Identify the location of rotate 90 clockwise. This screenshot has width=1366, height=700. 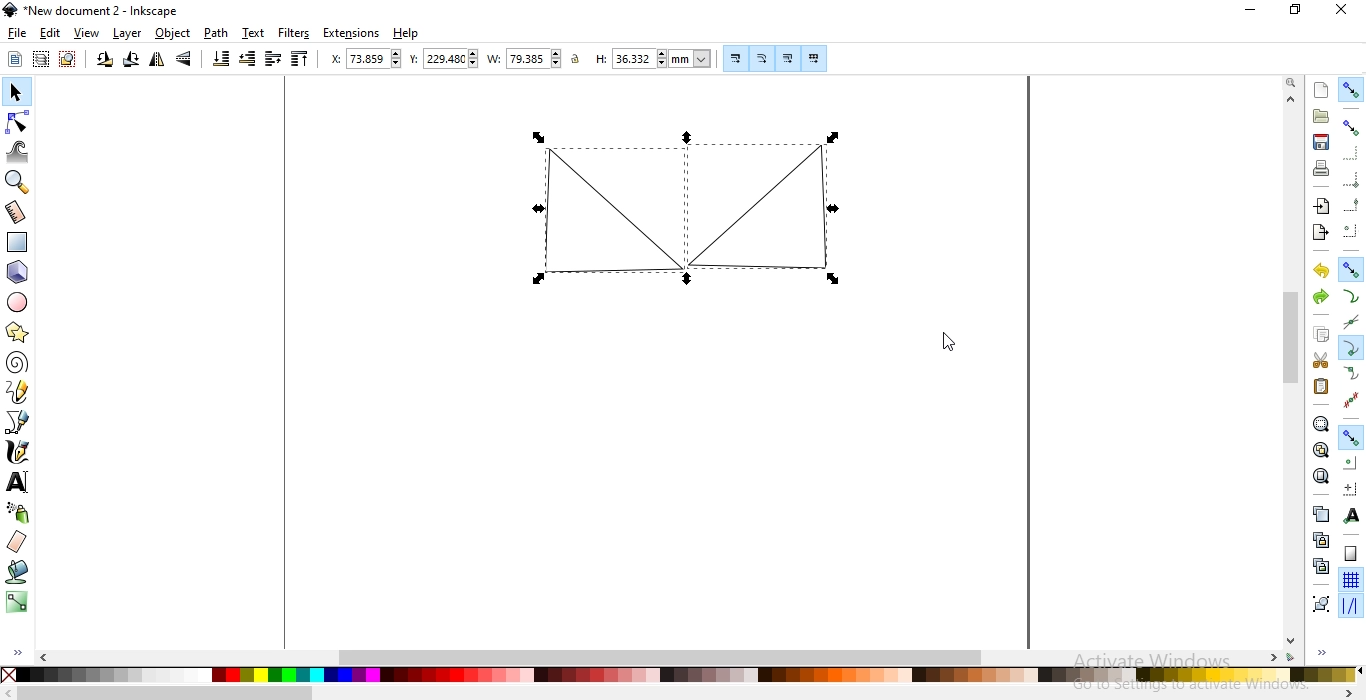
(130, 60).